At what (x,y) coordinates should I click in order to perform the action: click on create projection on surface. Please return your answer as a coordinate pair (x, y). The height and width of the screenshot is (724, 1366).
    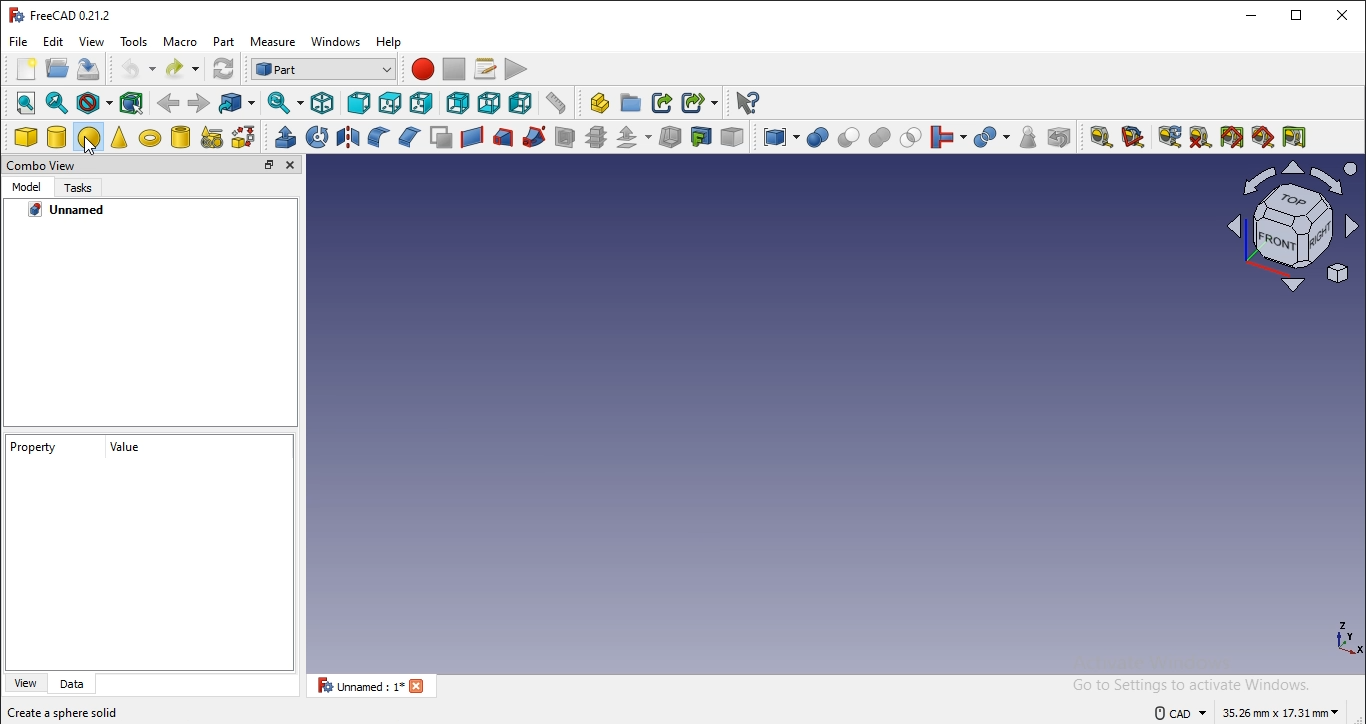
    Looking at the image, I should click on (701, 137).